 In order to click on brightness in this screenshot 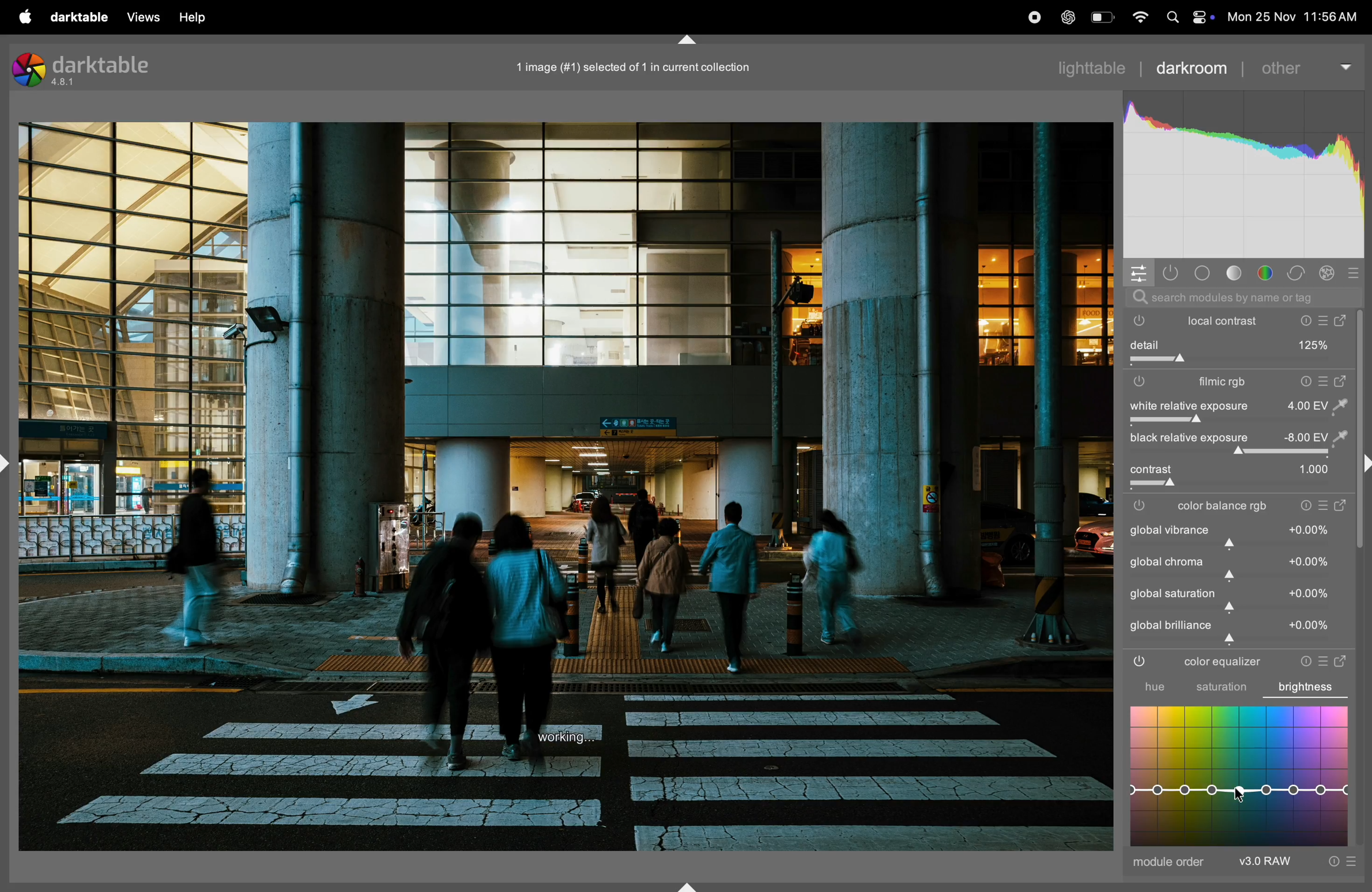, I will do `click(1311, 685)`.